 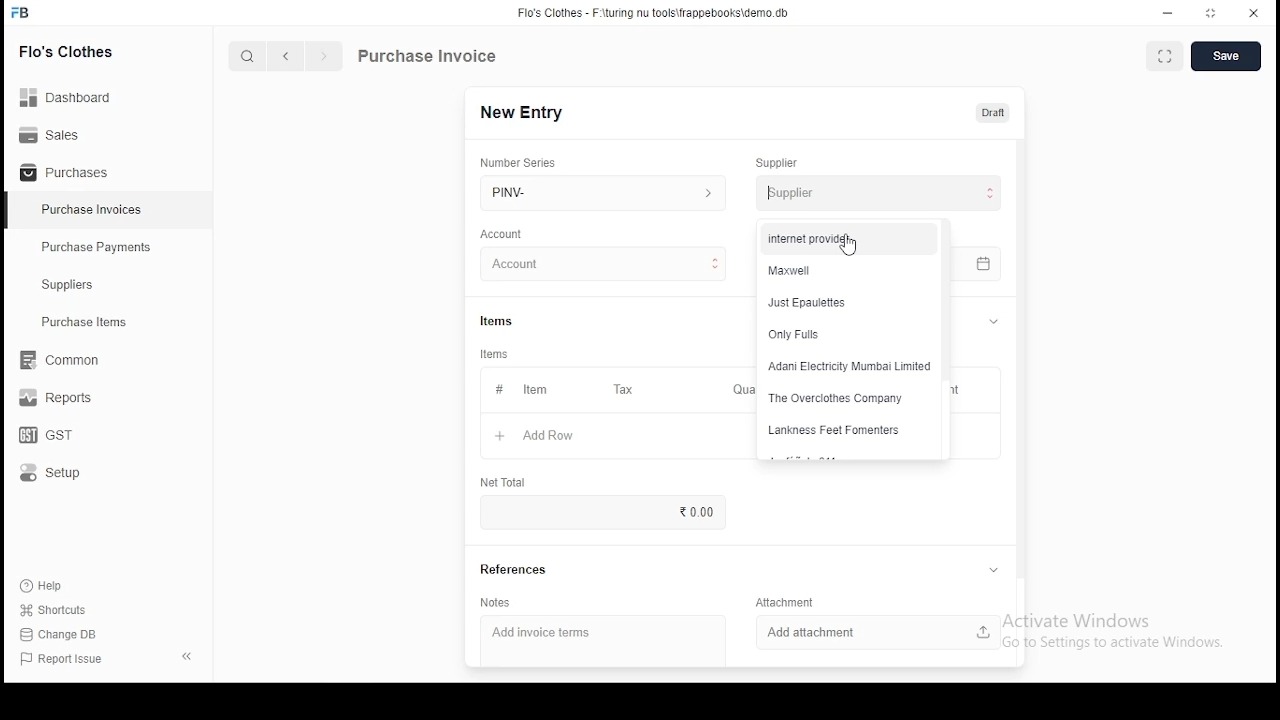 I want to click on close pane, so click(x=185, y=655).